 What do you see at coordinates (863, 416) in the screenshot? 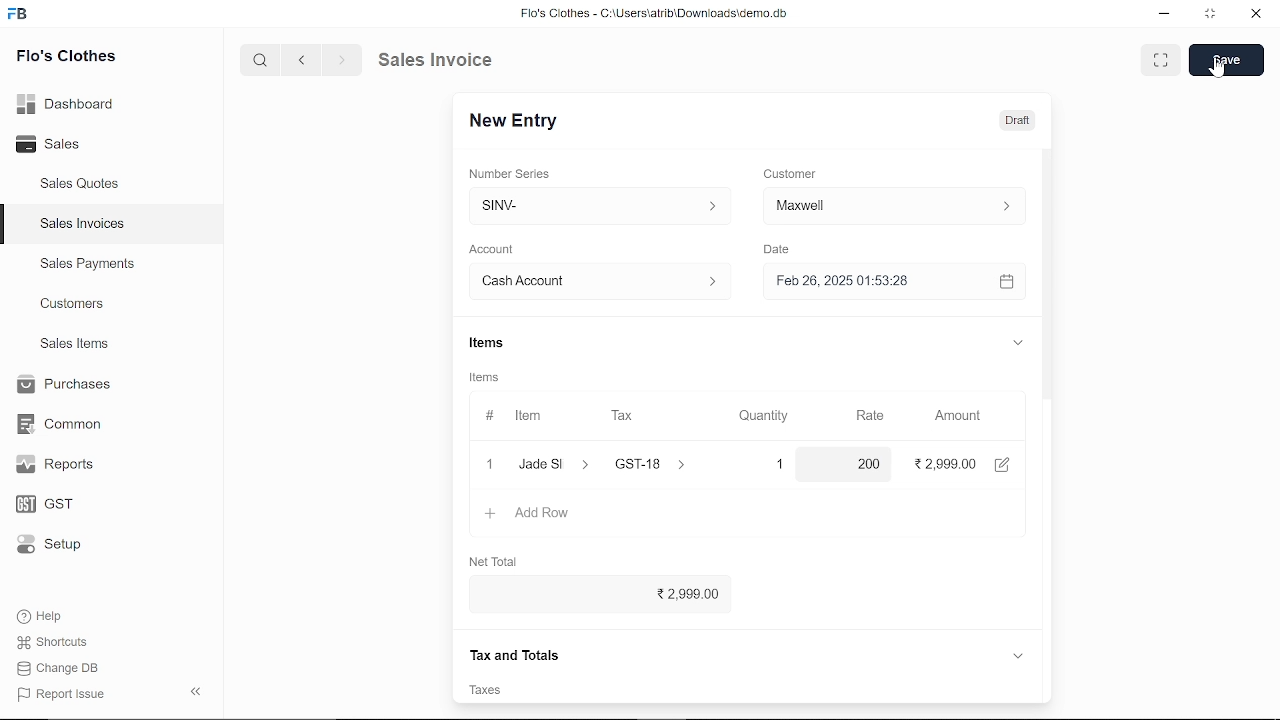
I see `Rate` at bounding box center [863, 416].